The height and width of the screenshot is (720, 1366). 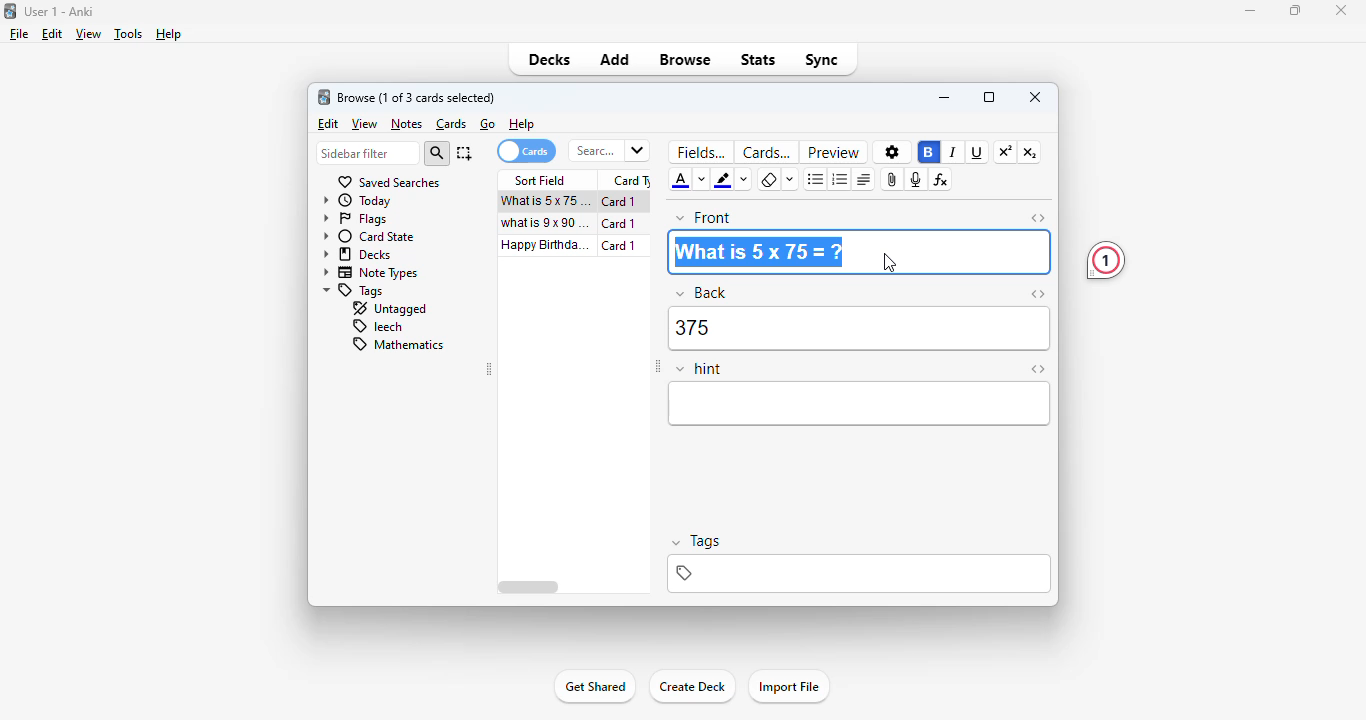 What do you see at coordinates (527, 151) in the screenshot?
I see `cards` at bounding box center [527, 151].